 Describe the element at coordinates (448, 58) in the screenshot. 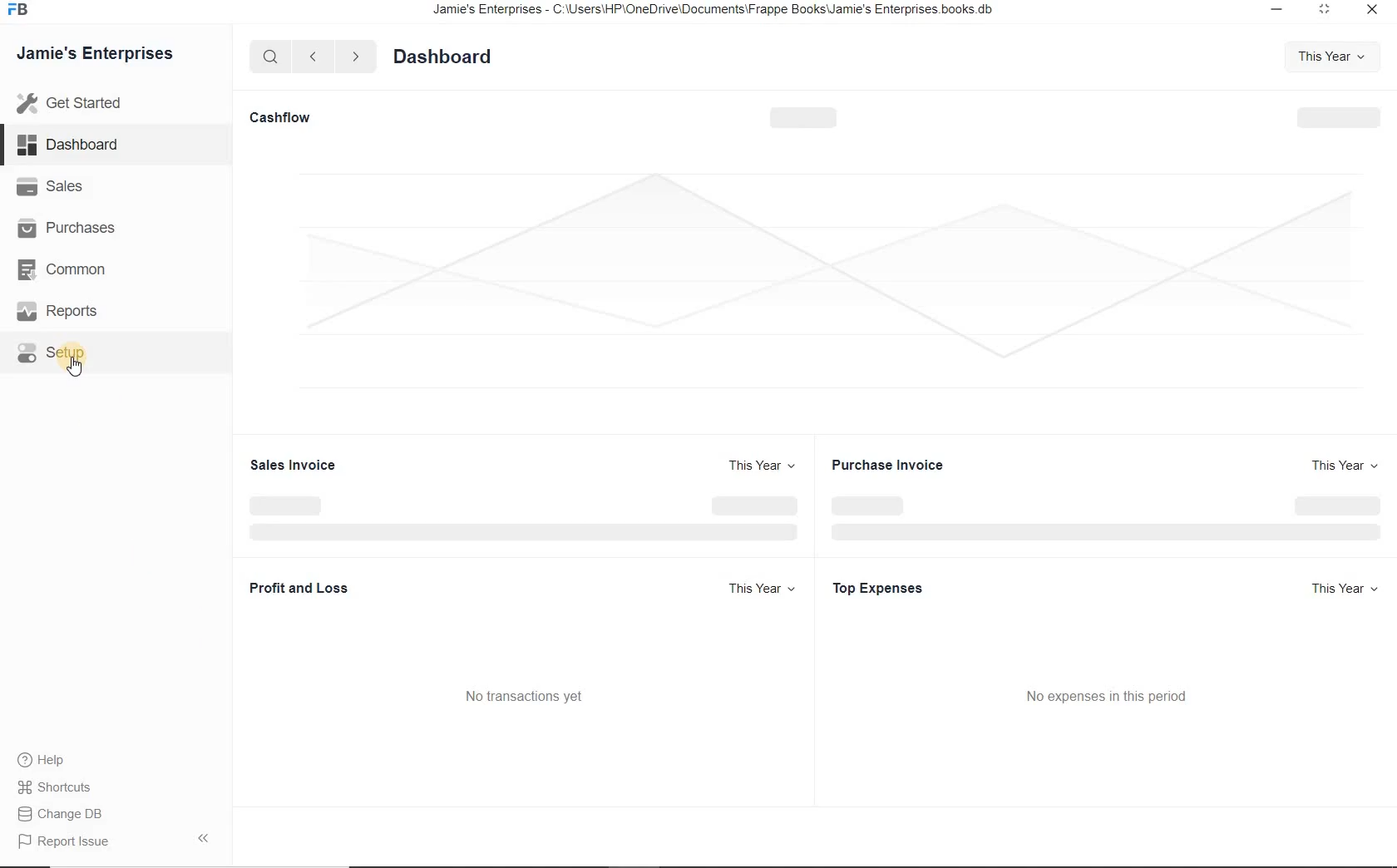

I see `Dashboard` at that location.